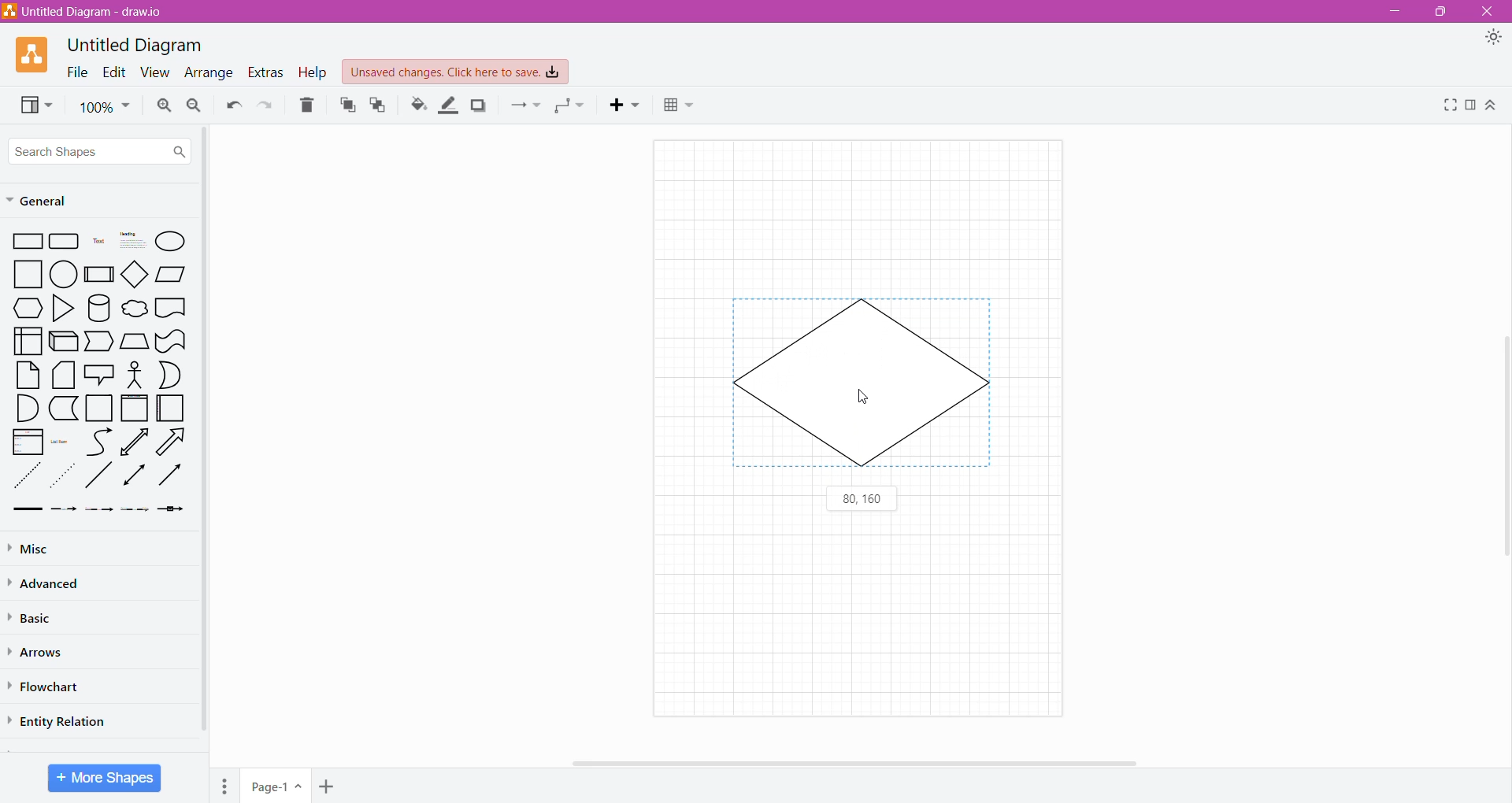  Describe the element at coordinates (100, 151) in the screenshot. I see `Search Shapes` at that location.